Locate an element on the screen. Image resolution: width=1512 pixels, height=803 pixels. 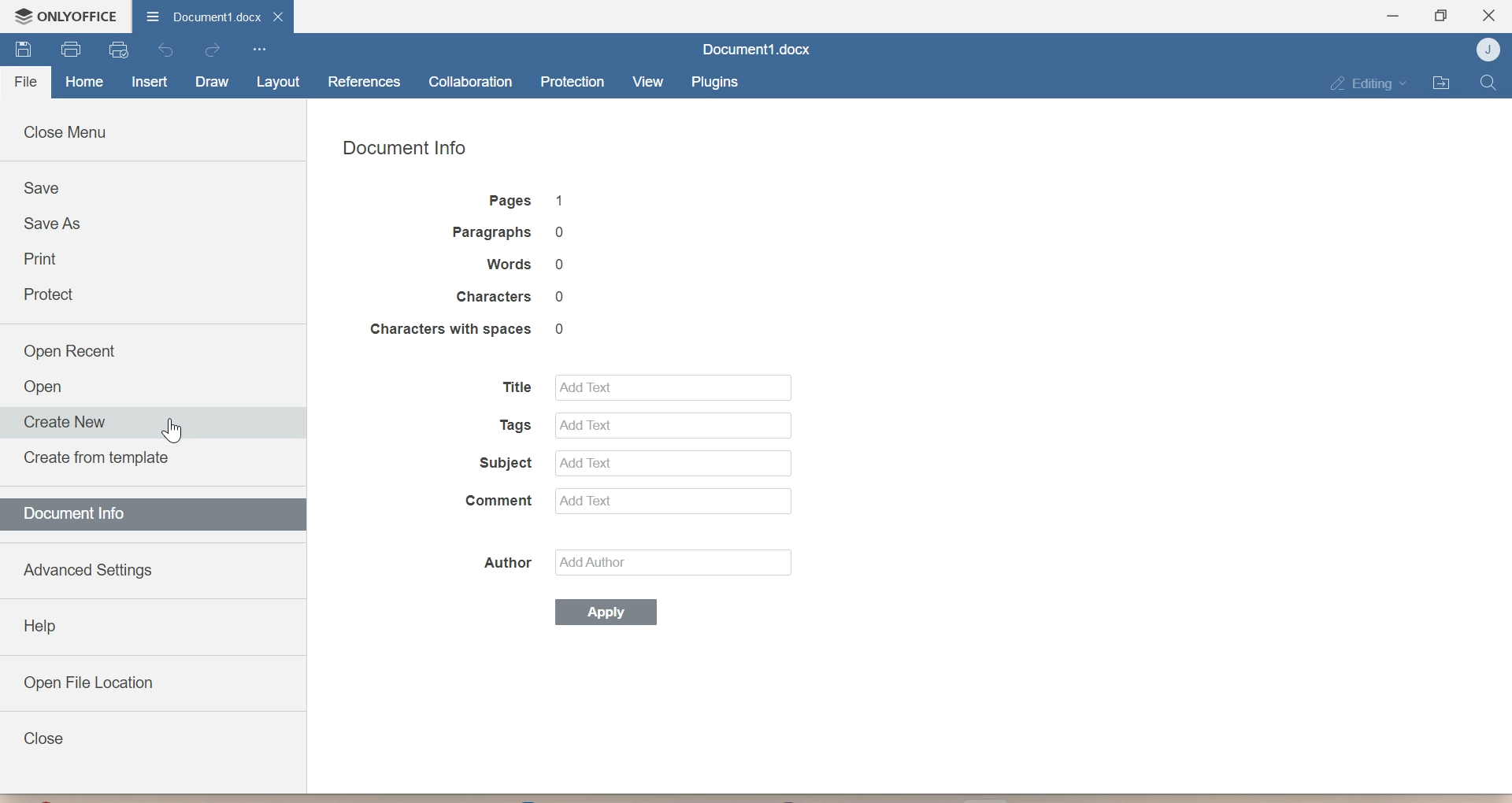
Onlyoffice is located at coordinates (80, 15).